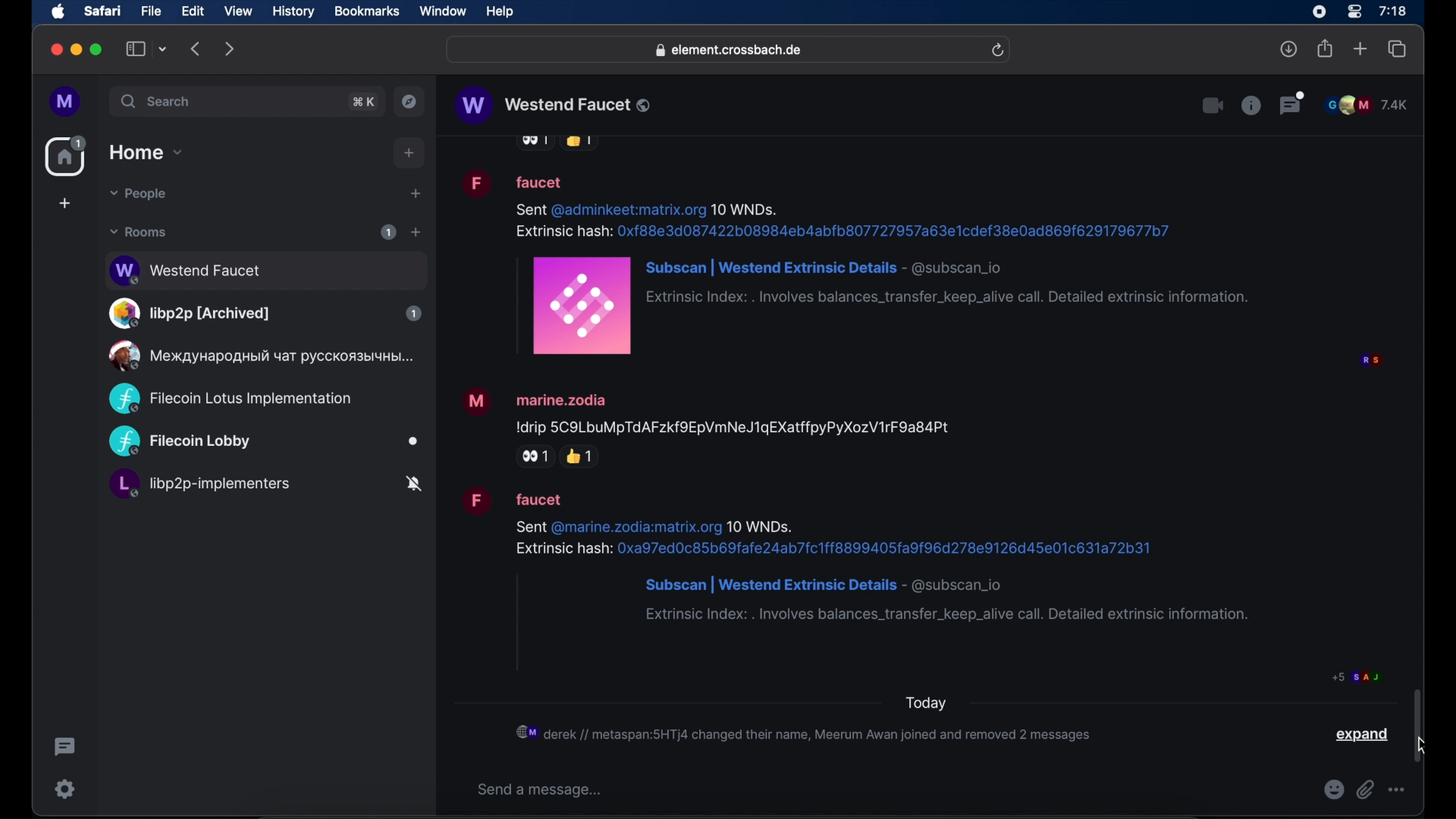  I want to click on rooms dropdown, so click(139, 232).